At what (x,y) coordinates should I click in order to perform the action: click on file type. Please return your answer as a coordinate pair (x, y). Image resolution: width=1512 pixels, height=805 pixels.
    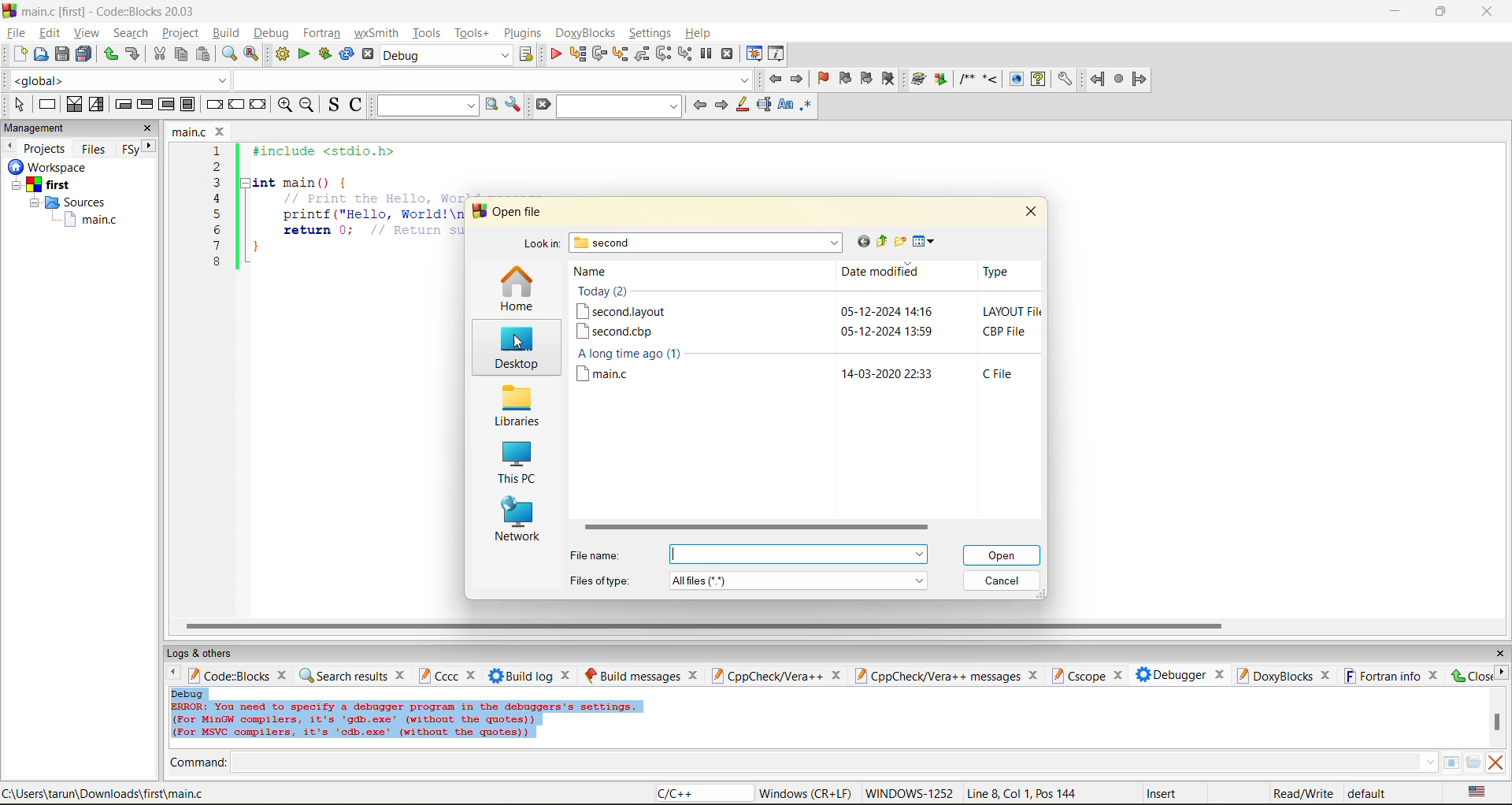
    Looking at the image, I should click on (600, 579).